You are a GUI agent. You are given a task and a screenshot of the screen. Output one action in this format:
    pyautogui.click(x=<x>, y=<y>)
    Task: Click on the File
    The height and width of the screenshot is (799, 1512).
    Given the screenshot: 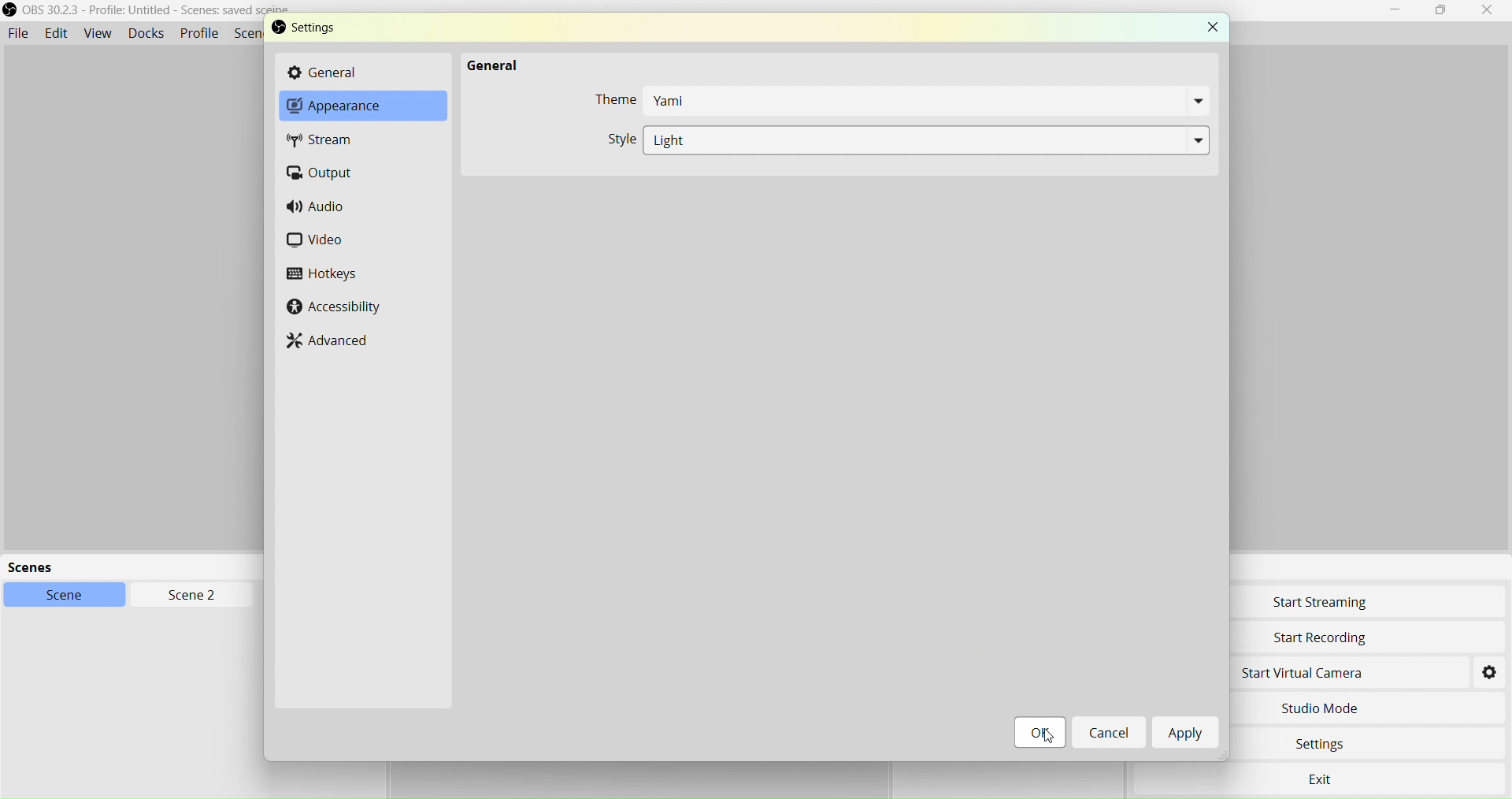 What is the action you would take?
    pyautogui.click(x=19, y=31)
    